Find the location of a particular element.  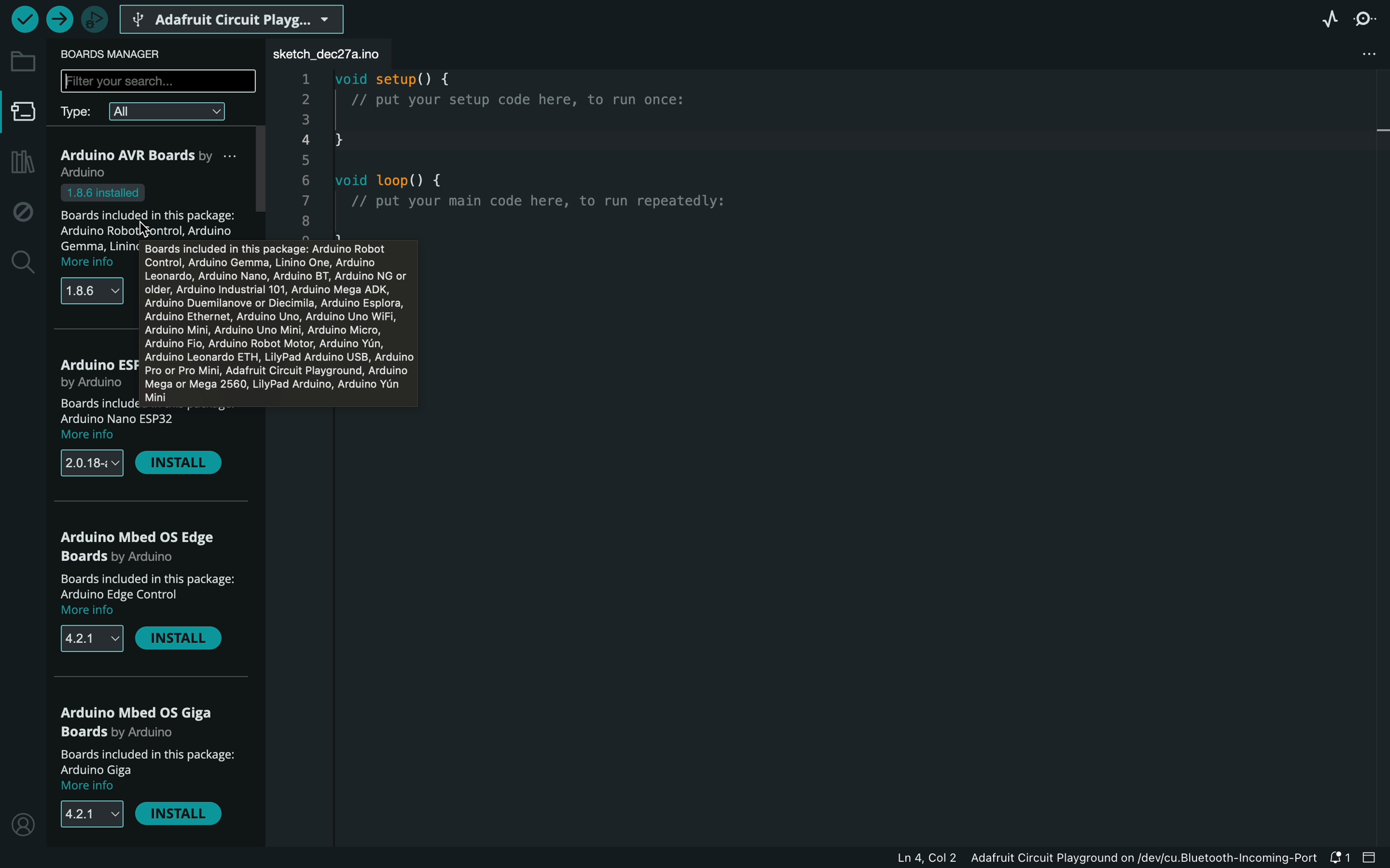

versions is located at coordinates (89, 640).